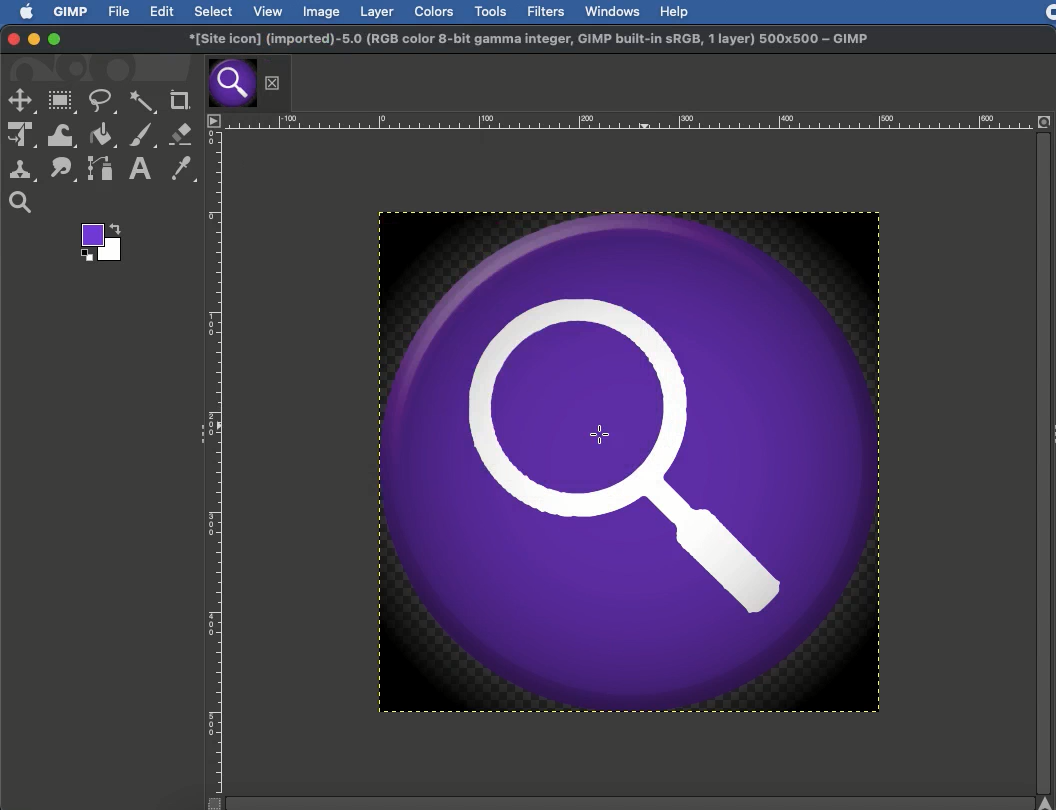 This screenshot has height=810, width=1056. I want to click on Help, so click(675, 12).